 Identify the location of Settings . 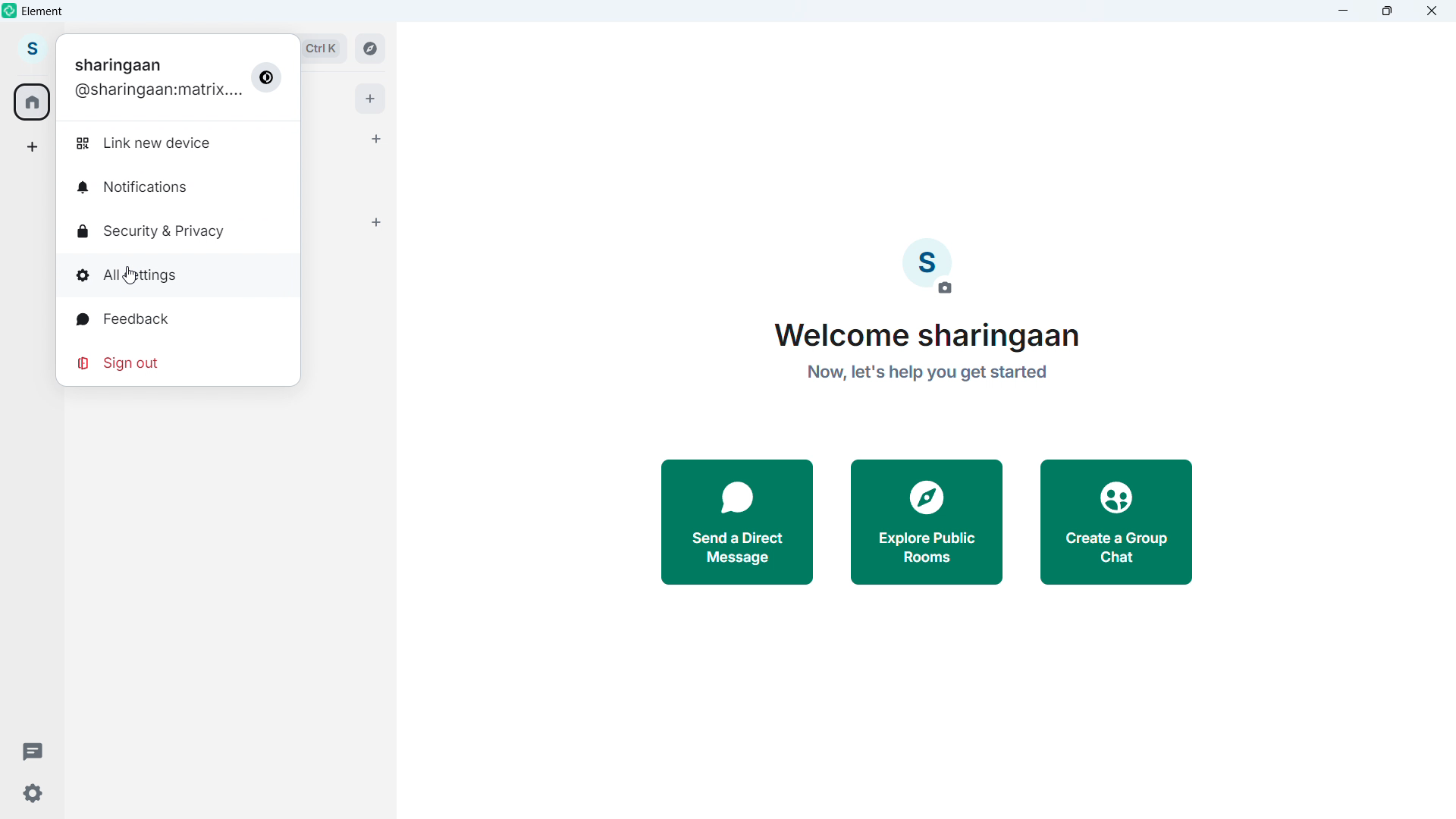
(32, 794).